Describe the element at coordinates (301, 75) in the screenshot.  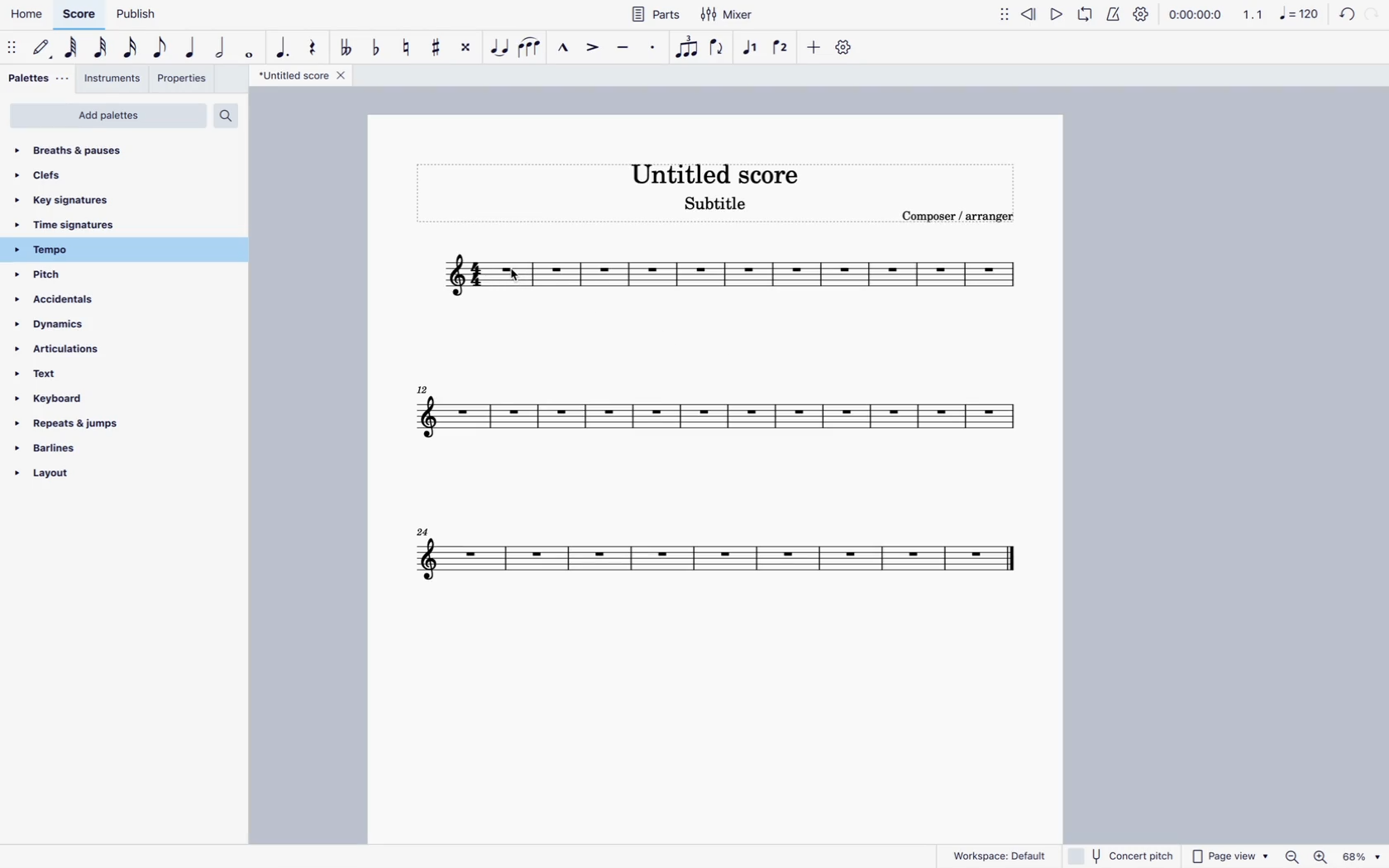
I see `score title` at that location.